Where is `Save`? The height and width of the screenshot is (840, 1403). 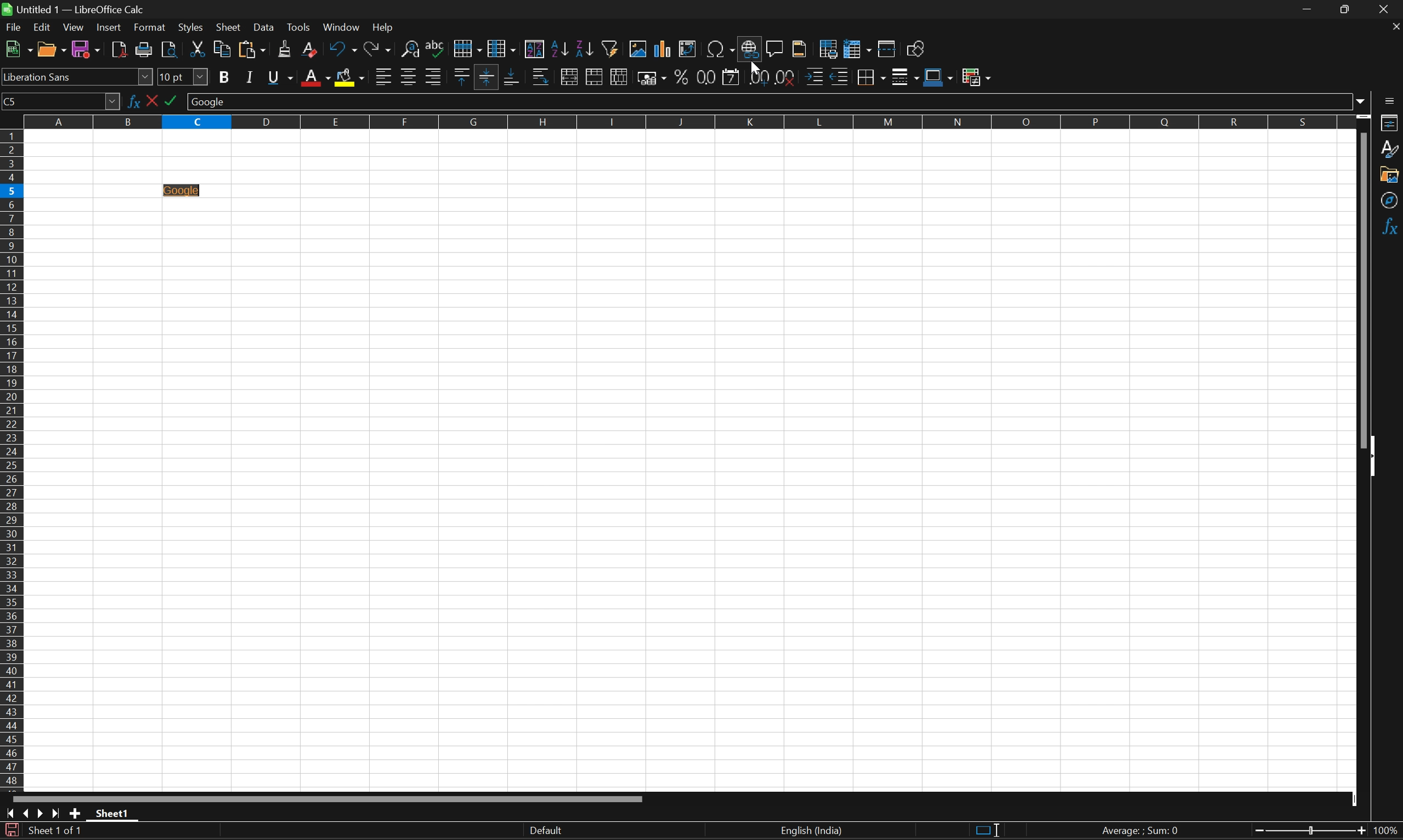
Save is located at coordinates (86, 48).